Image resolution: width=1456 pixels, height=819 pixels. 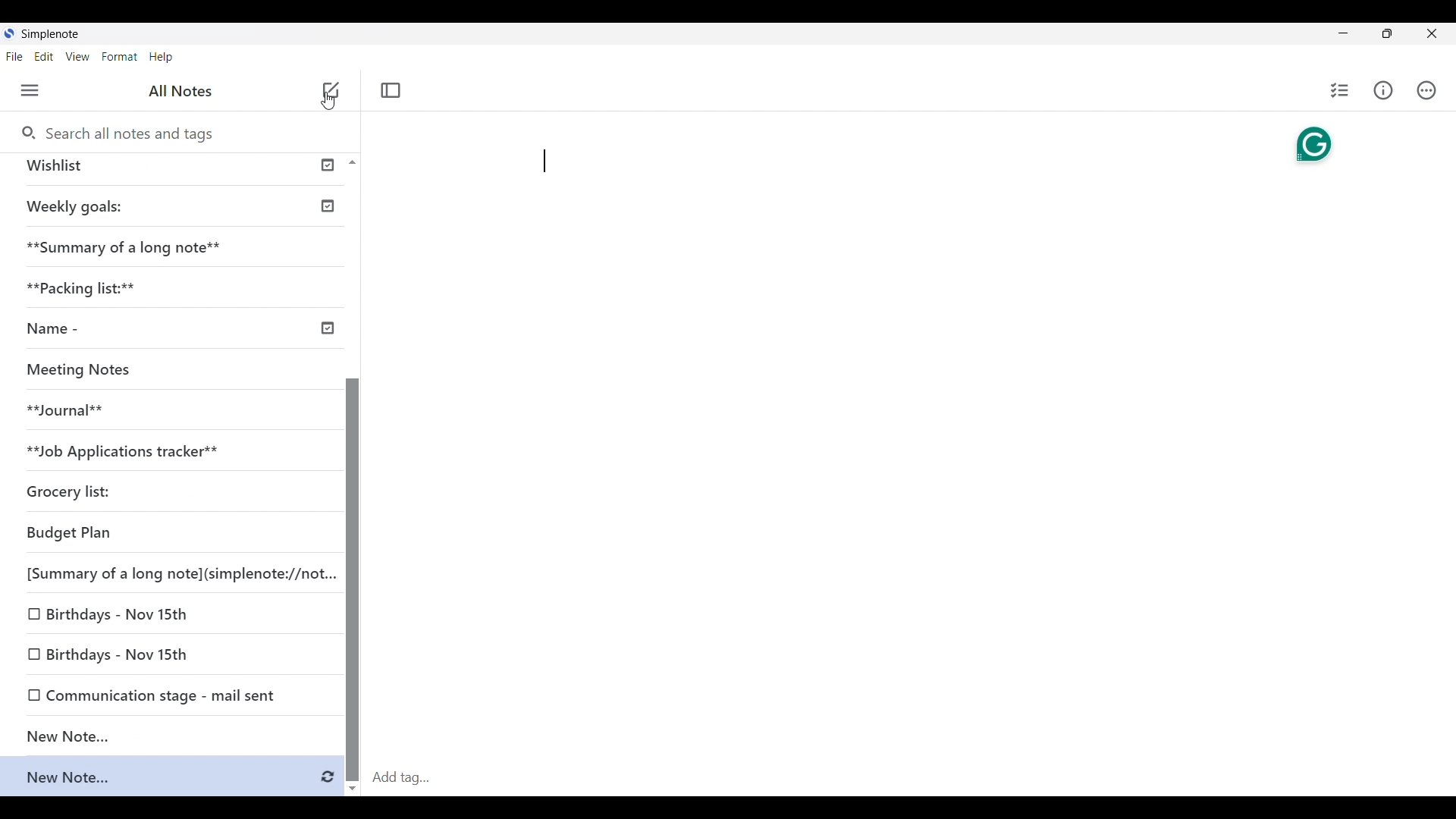 I want to click on Wishlist, so click(x=63, y=168).